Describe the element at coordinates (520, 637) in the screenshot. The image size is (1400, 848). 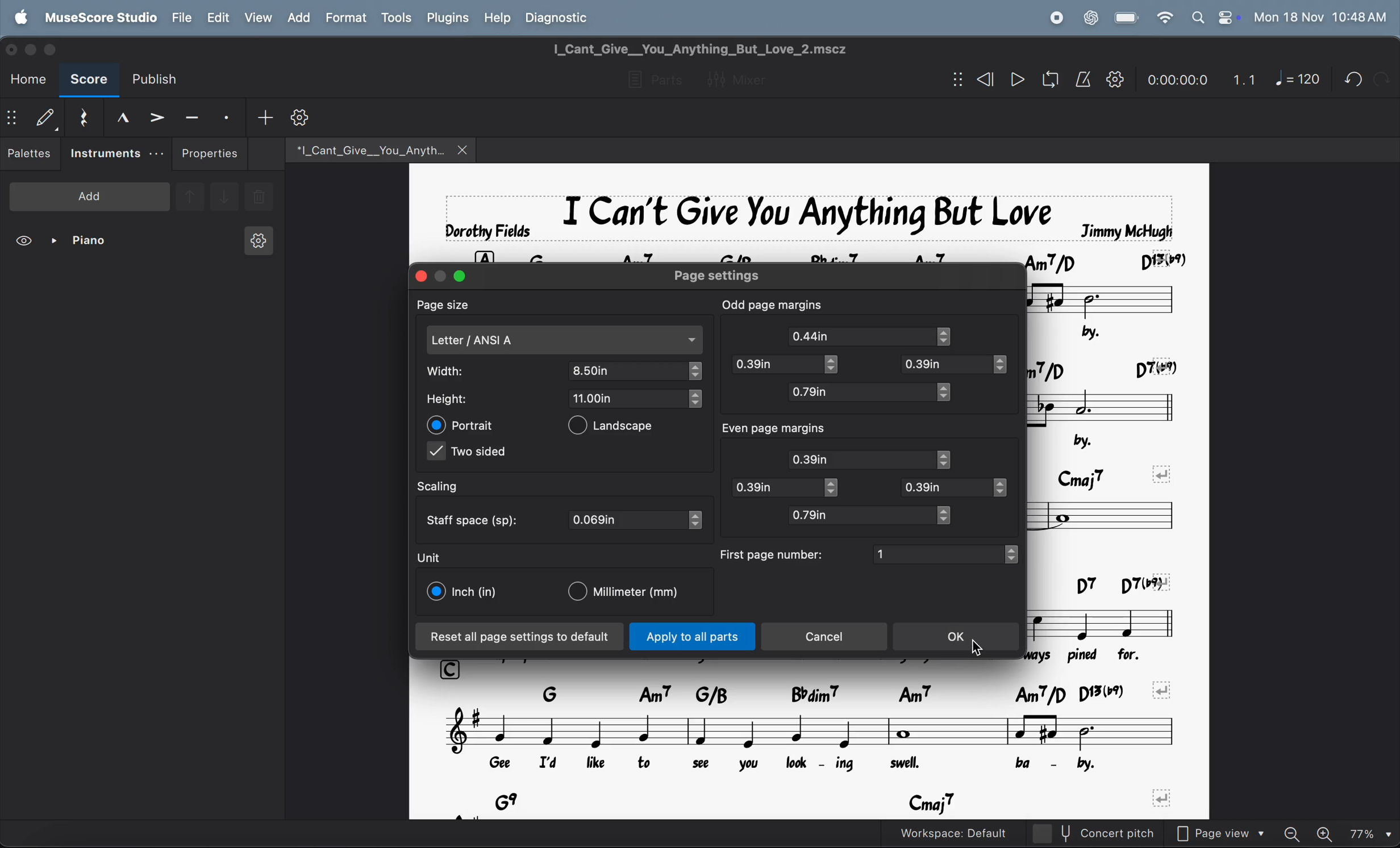
I see `reset page to default settings` at that location.